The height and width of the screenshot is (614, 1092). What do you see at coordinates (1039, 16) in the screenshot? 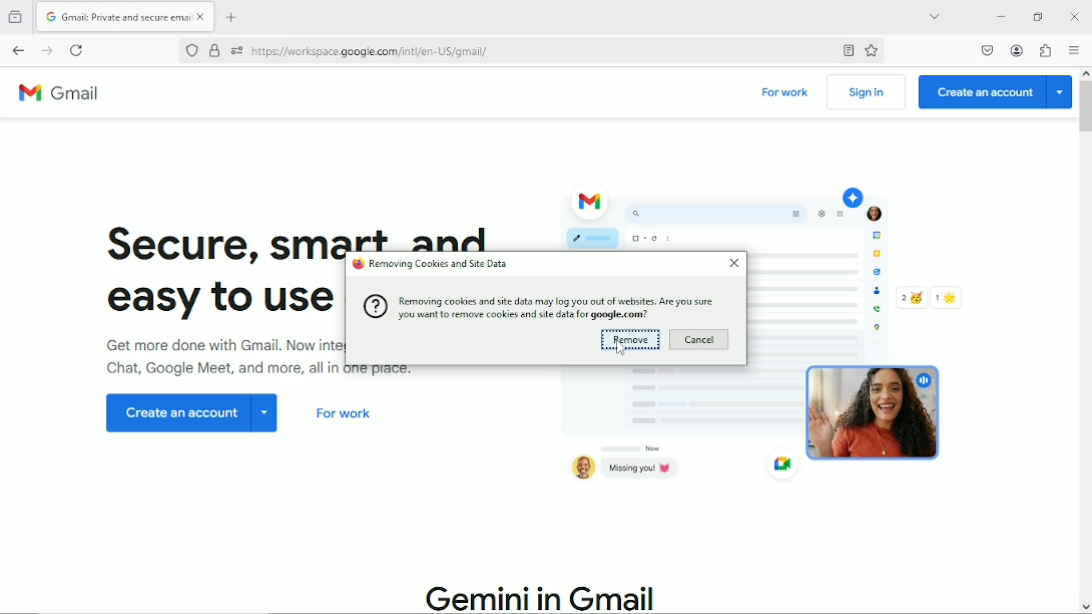
I see `restore down` at bounding box center [1039, 16].